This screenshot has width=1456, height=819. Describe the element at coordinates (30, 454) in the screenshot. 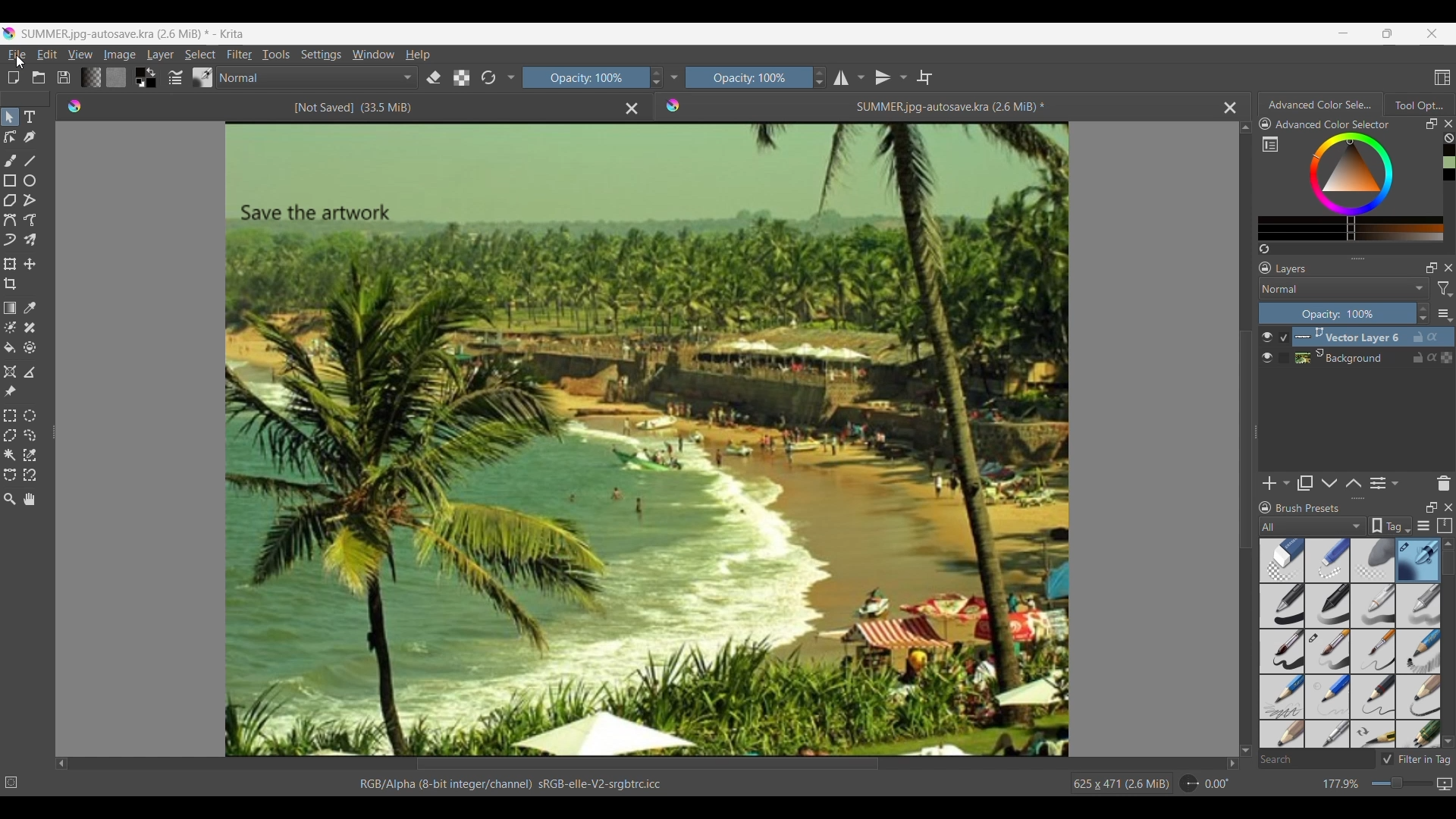

I see `Similar color selection tool` at that location.